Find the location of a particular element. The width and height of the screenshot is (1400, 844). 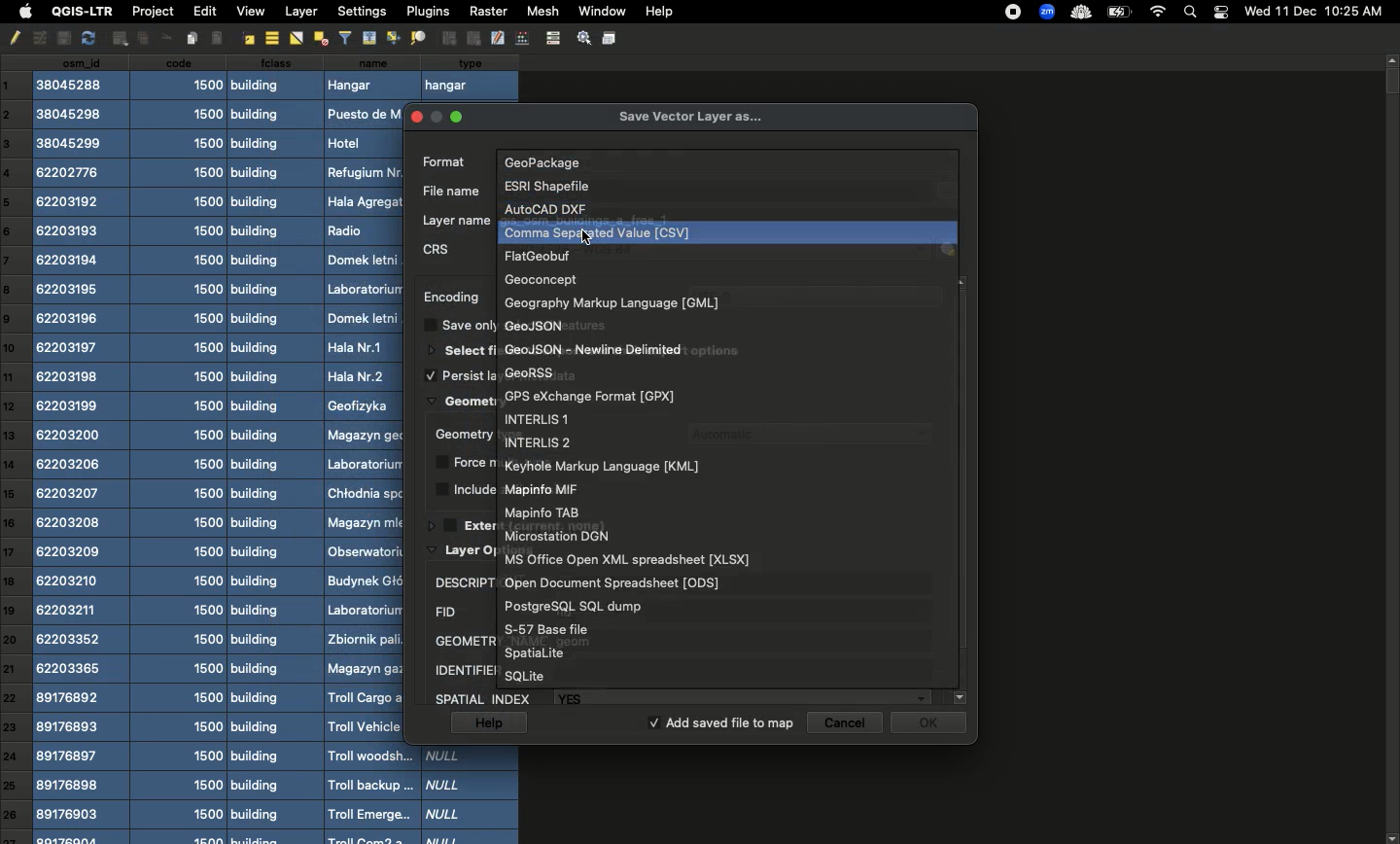

Format is located at coordinates (617, 581).